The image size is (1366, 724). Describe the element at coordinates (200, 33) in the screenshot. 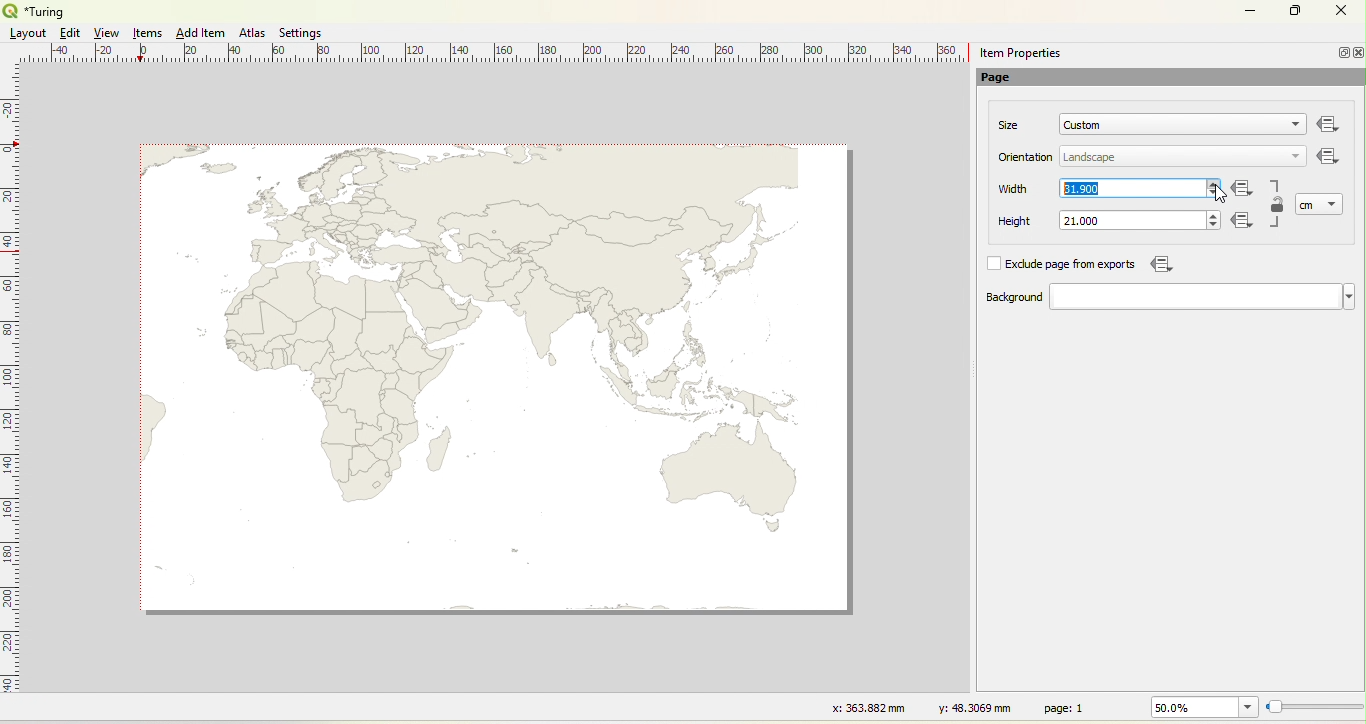

I see `Add Item` at that location.